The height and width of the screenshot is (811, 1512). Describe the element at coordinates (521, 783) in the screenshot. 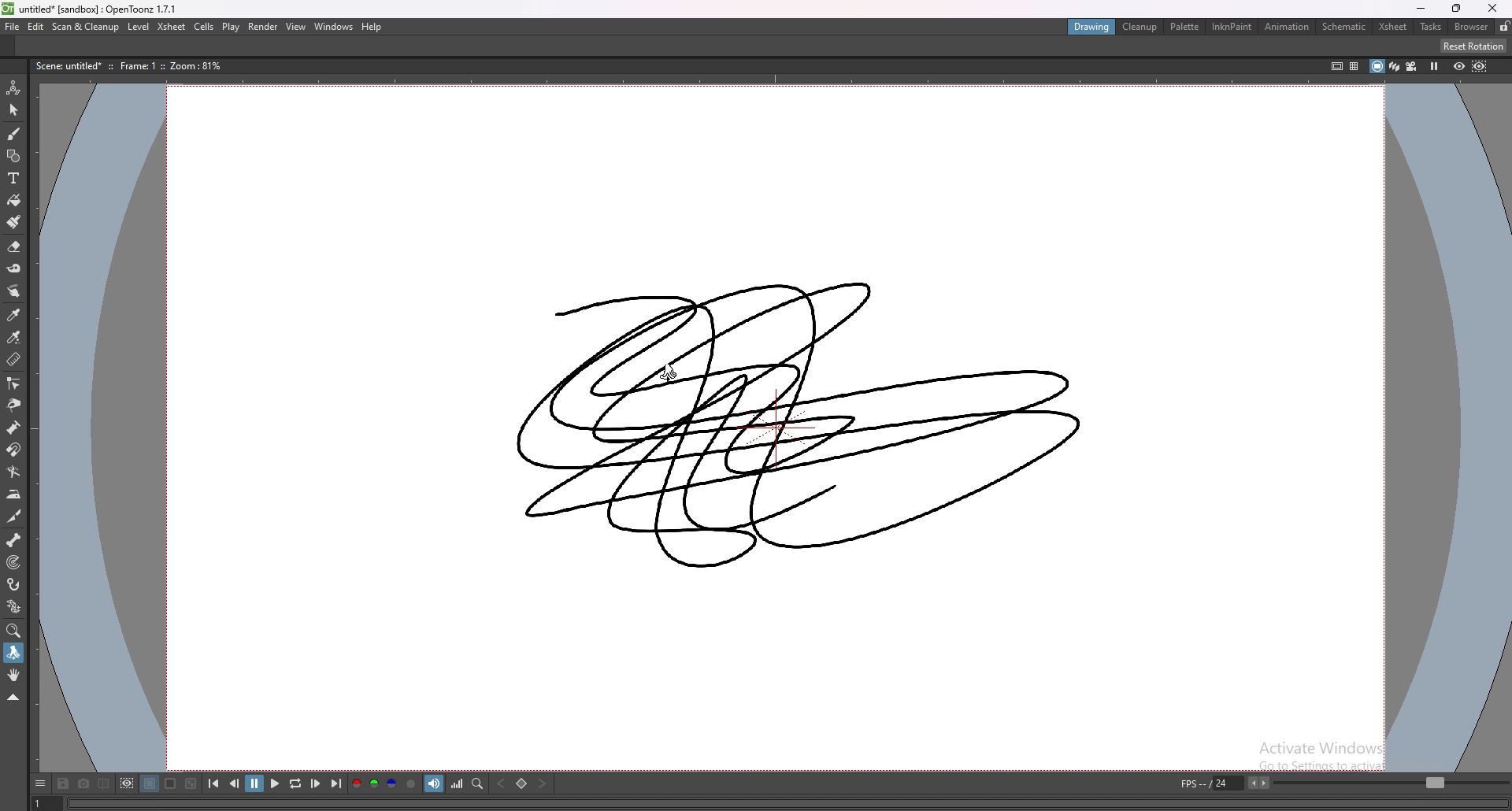

I see `set key` at that location.